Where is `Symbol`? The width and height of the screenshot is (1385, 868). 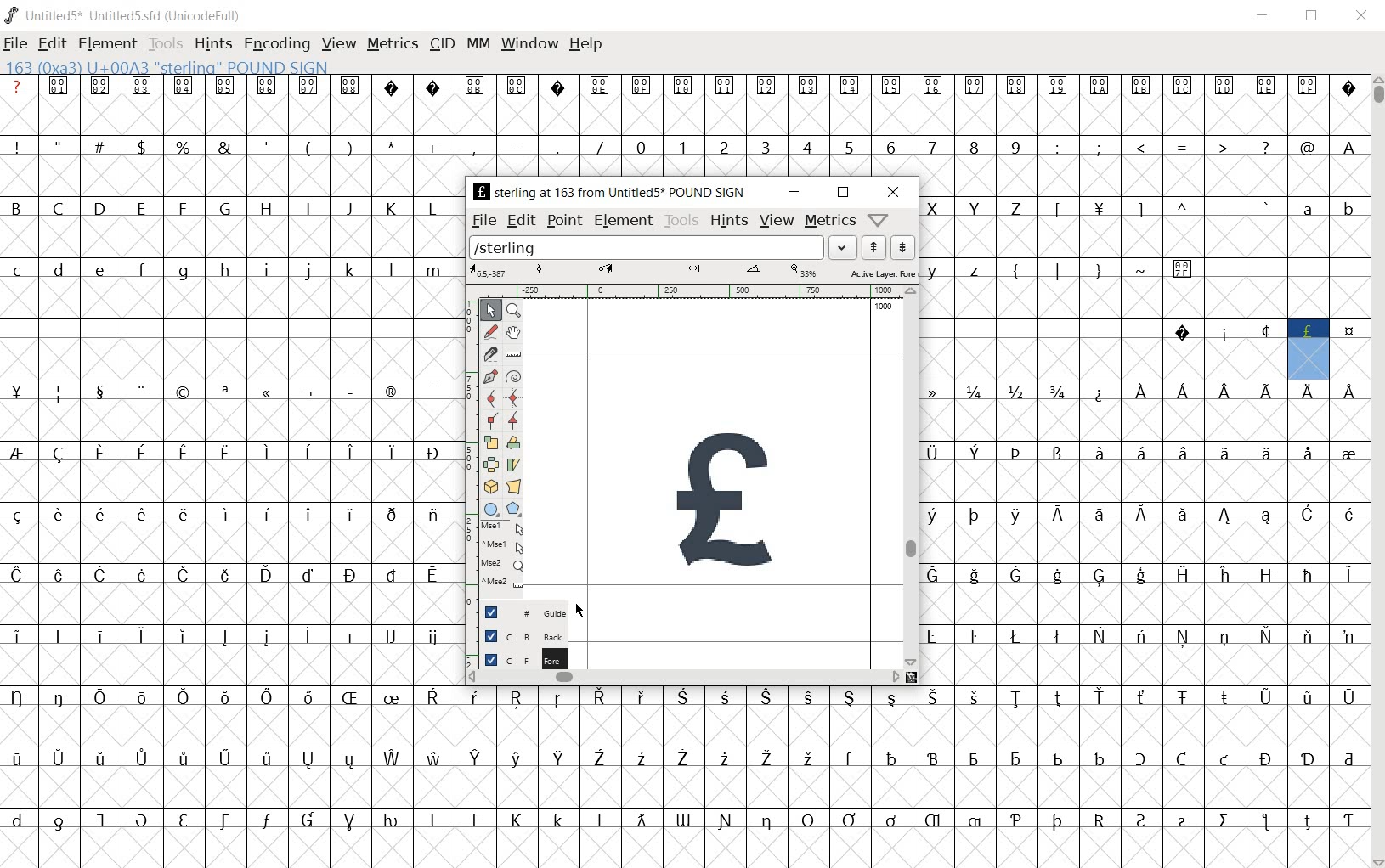
Symbol is located at coordinates (59, 697).